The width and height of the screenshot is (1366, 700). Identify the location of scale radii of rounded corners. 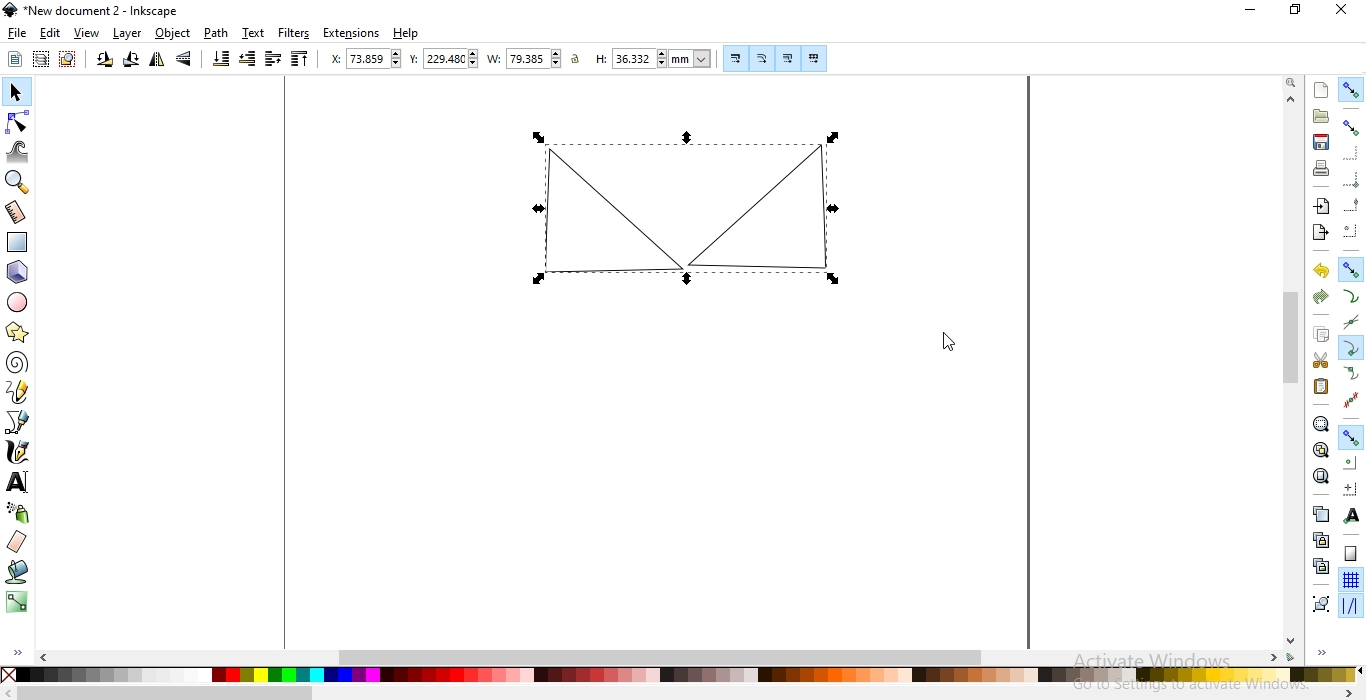
(762, 58).